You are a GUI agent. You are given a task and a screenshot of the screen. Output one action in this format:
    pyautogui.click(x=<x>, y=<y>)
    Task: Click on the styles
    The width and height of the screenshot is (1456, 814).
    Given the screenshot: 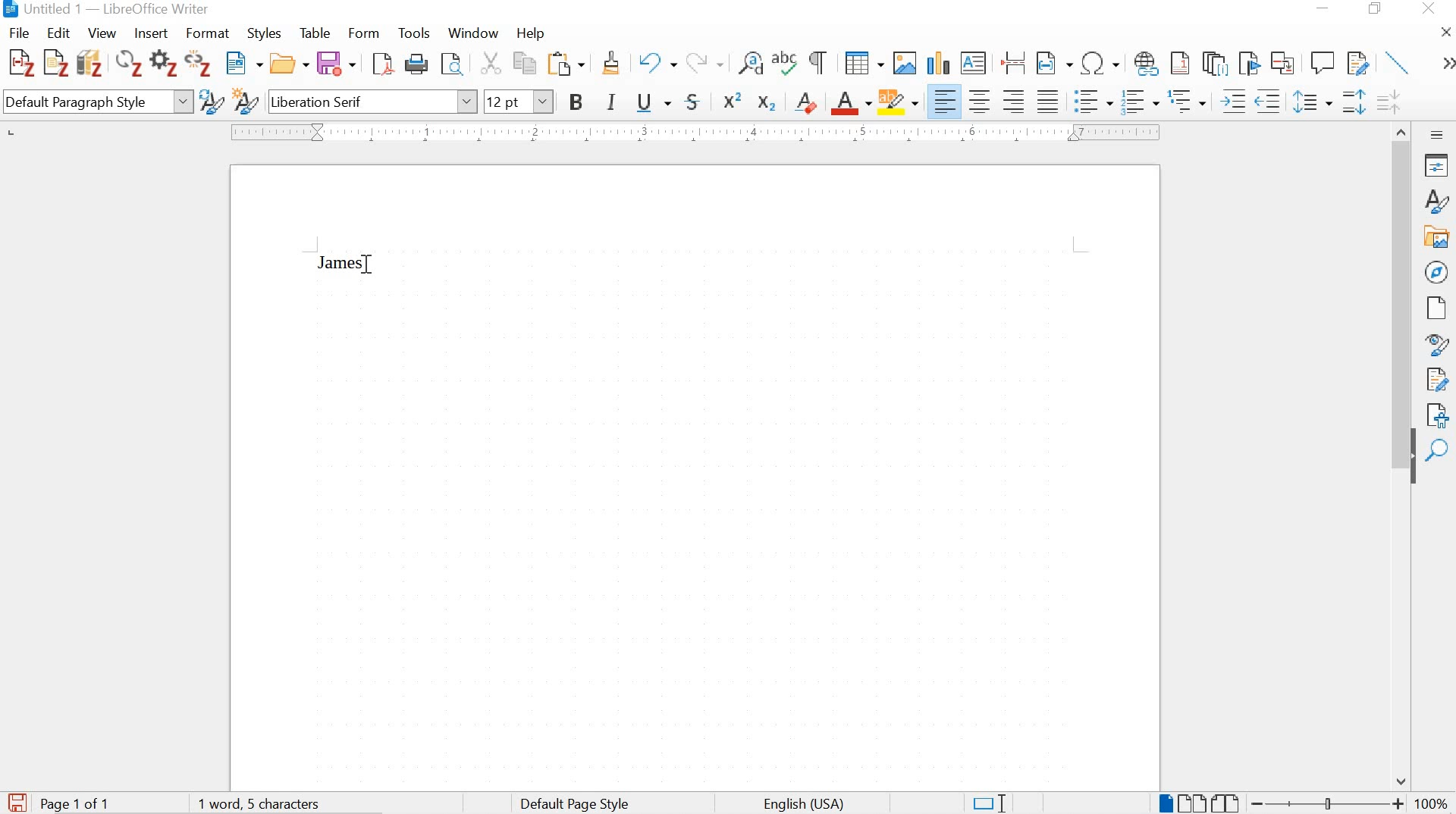 What is the action you would take?
    pyautogui.click(x=1437, y=200)
    